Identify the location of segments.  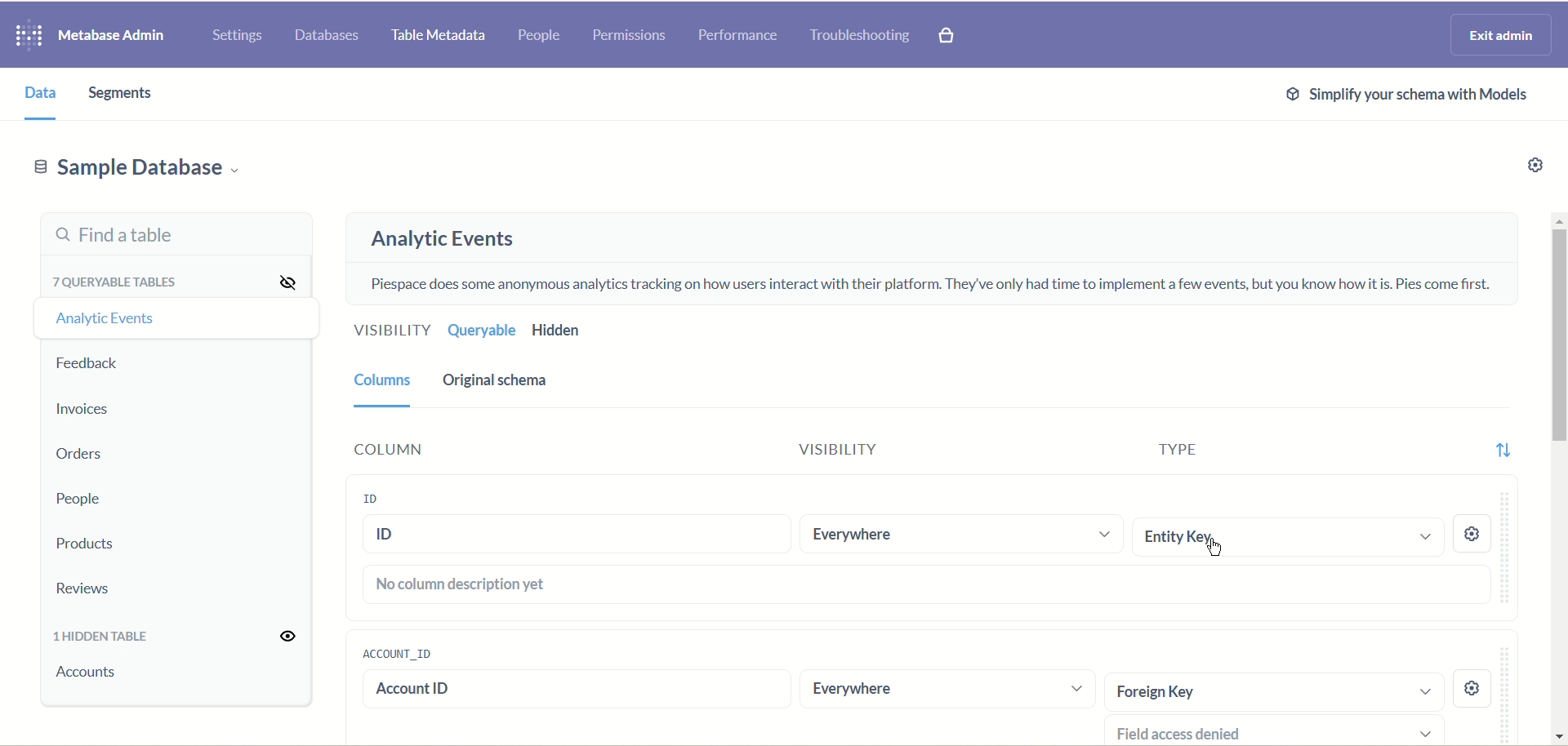
(123, 93).